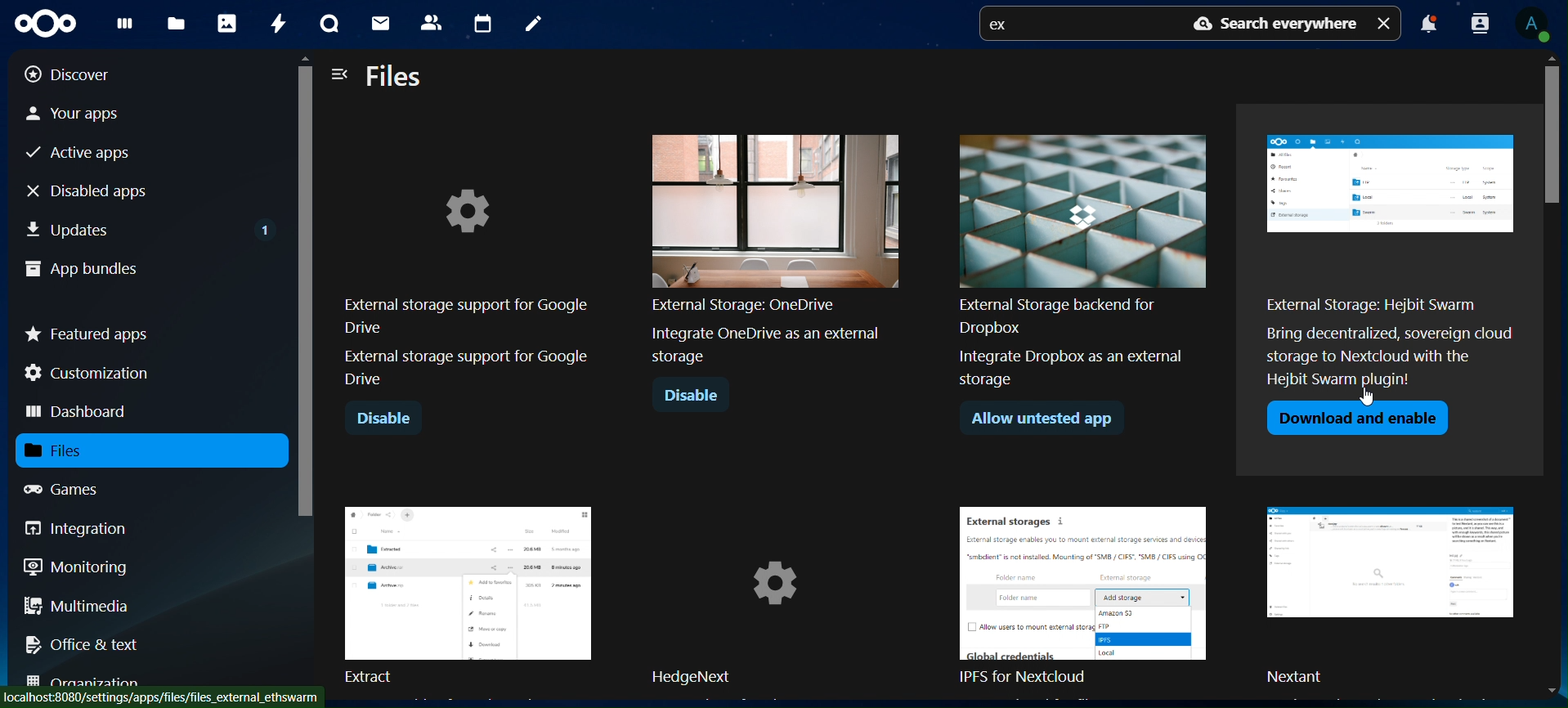 The width and height of the screenshot is (1568, 708). What do you see at coordinates (101, 190) in the screenshot?
I see `disabled apps` at bounding box center [101, 190].